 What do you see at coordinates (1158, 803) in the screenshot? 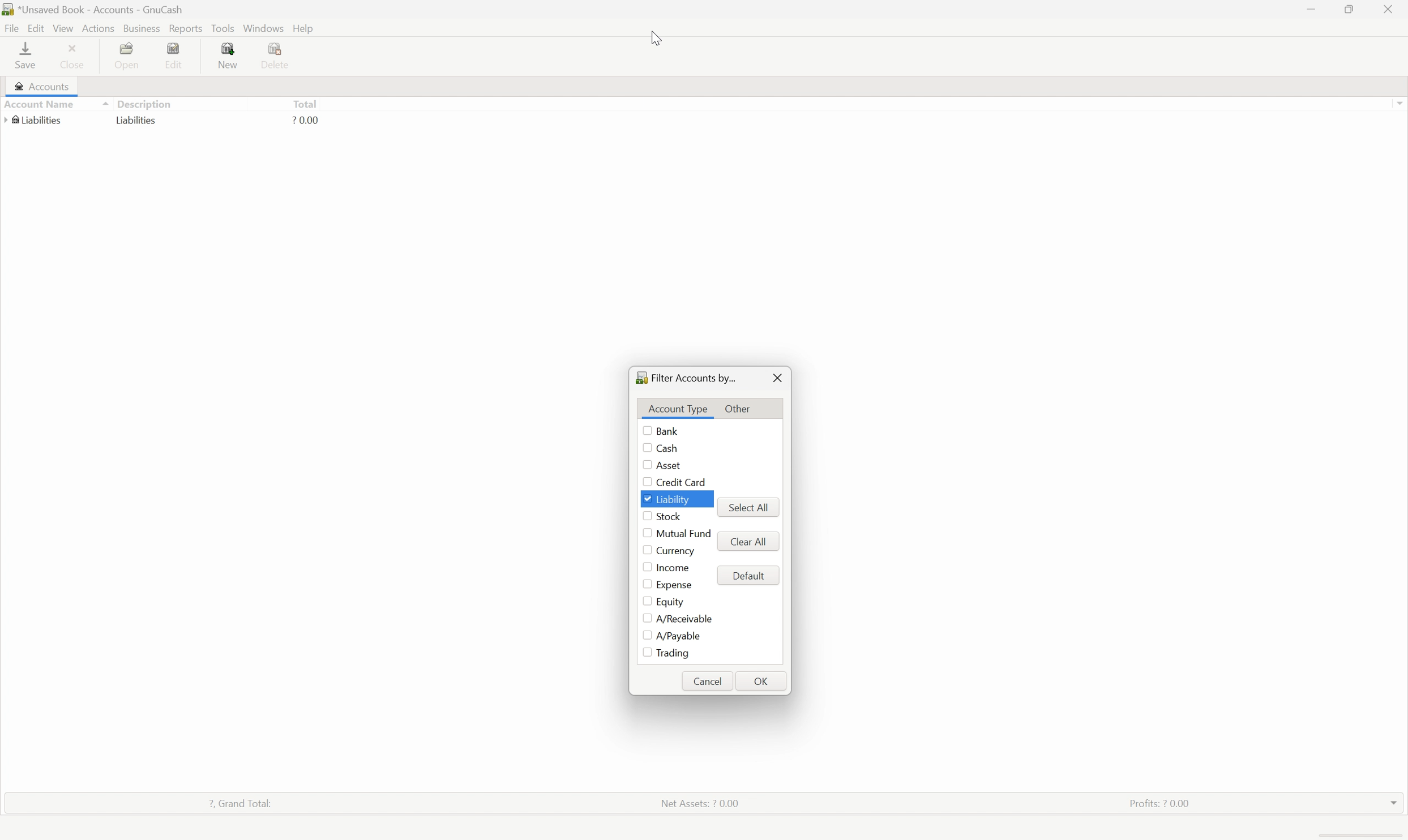
I see `Profits: ? 0.00` at bounding box center [1158, 803].